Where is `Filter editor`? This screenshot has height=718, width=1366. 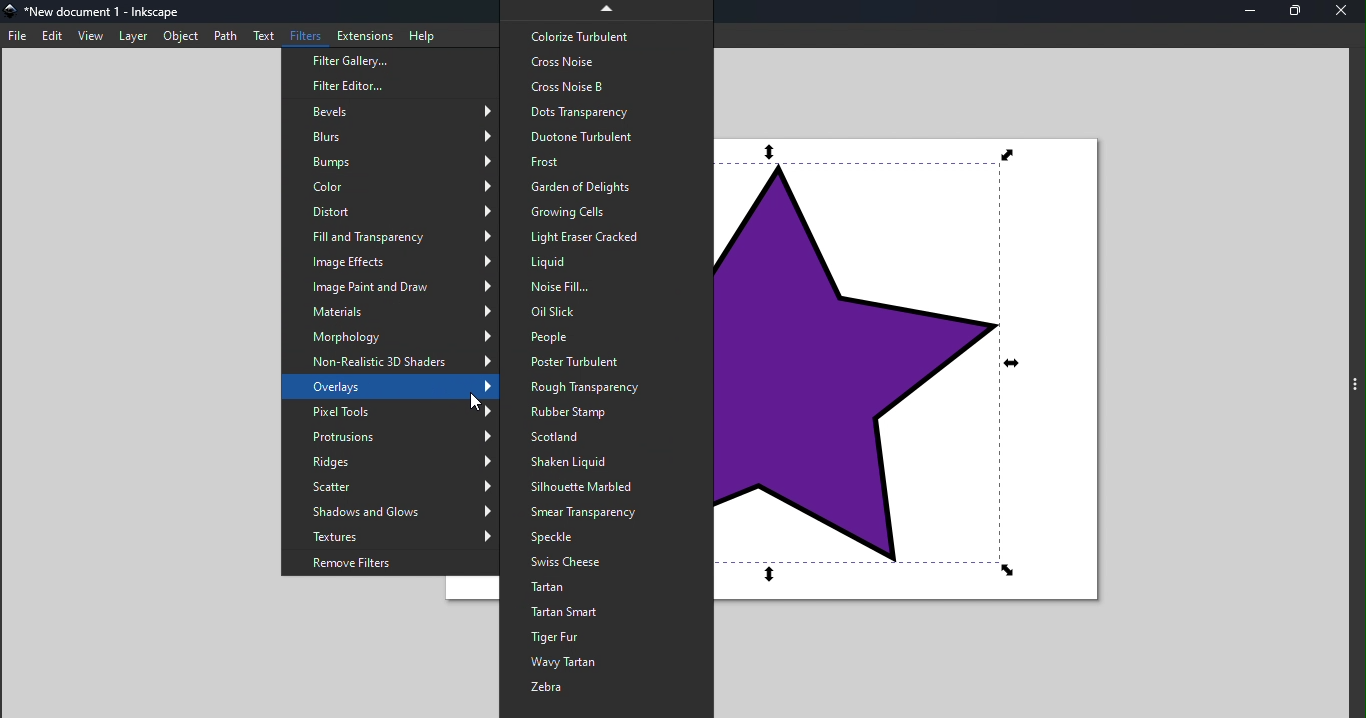
Filter editor is located at coordinates (388, 87).